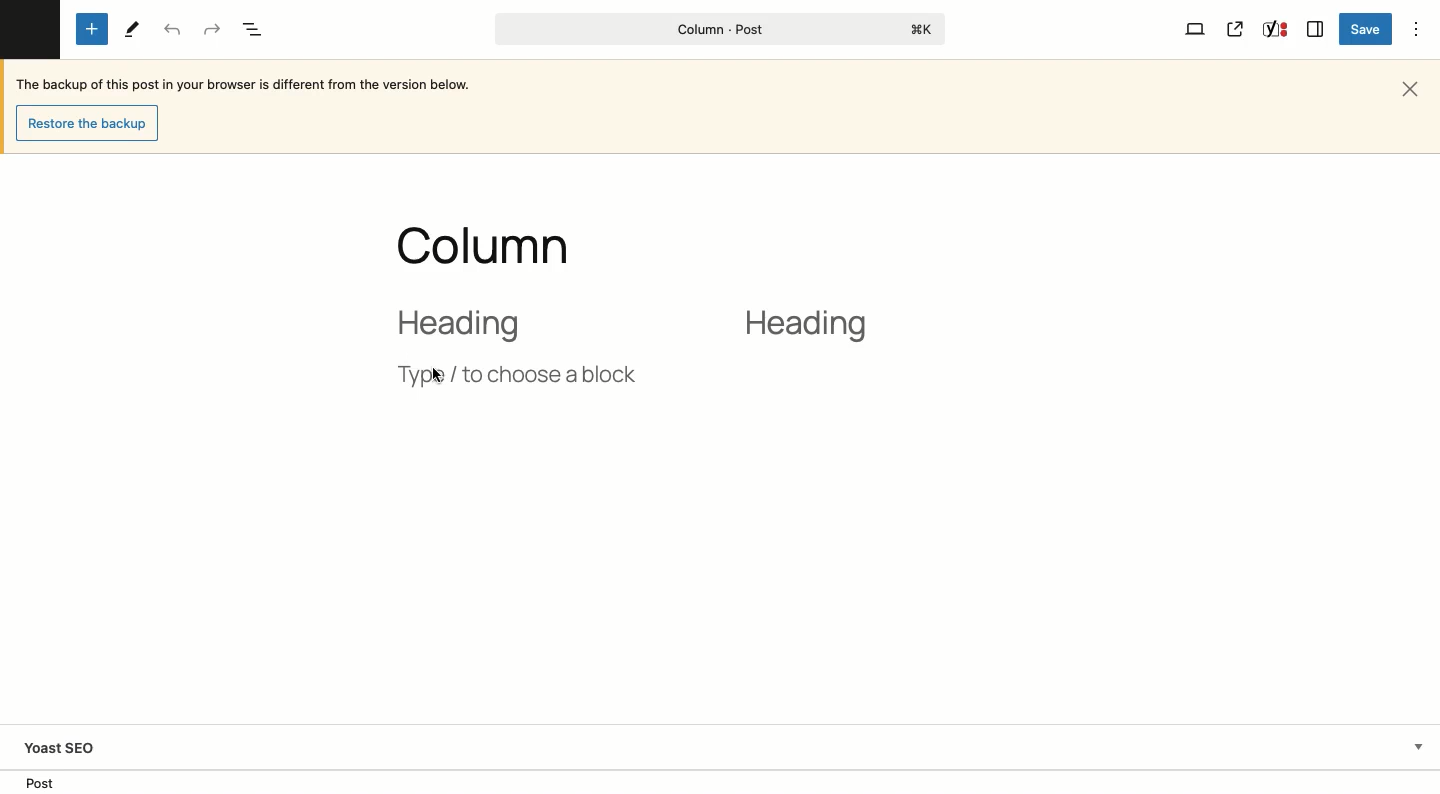 This screenshot has width=1440, height=794. I want to click on Tools, so click(132, 30).